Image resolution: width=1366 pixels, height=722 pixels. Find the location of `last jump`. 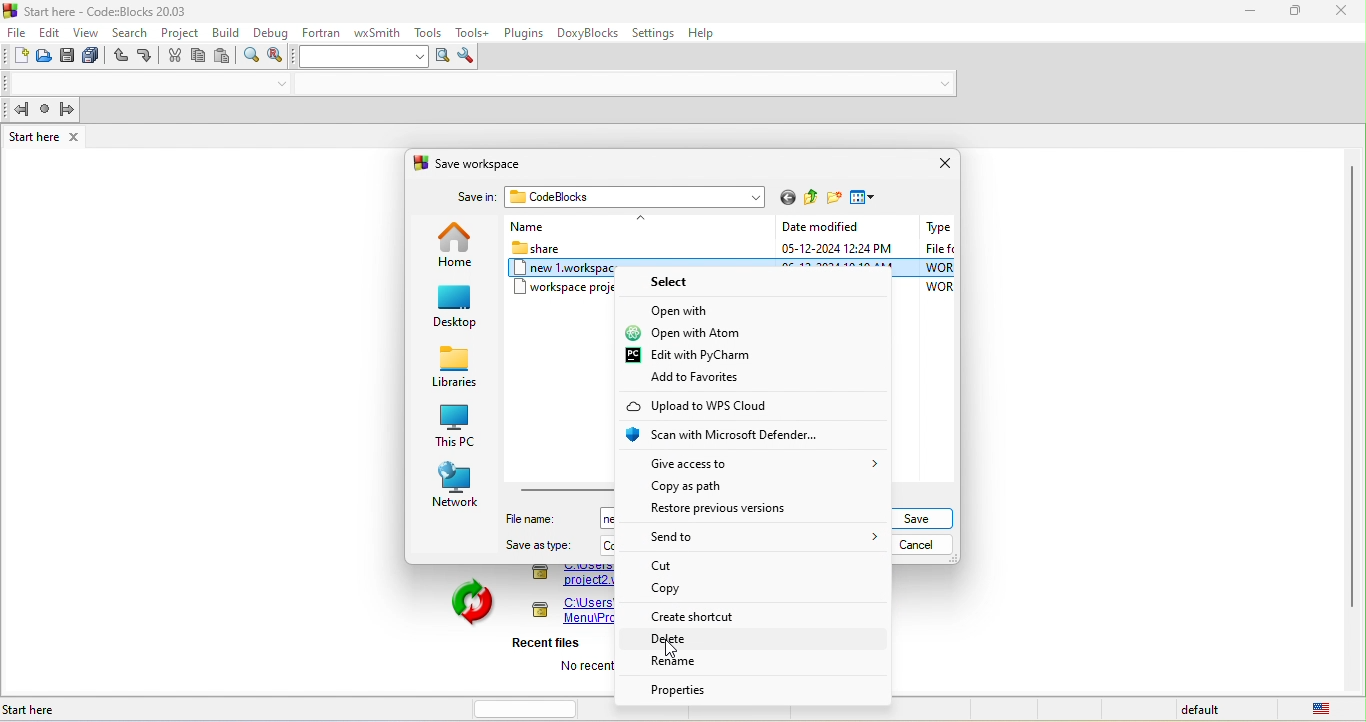

last jump is located at coordinates (45, 111).